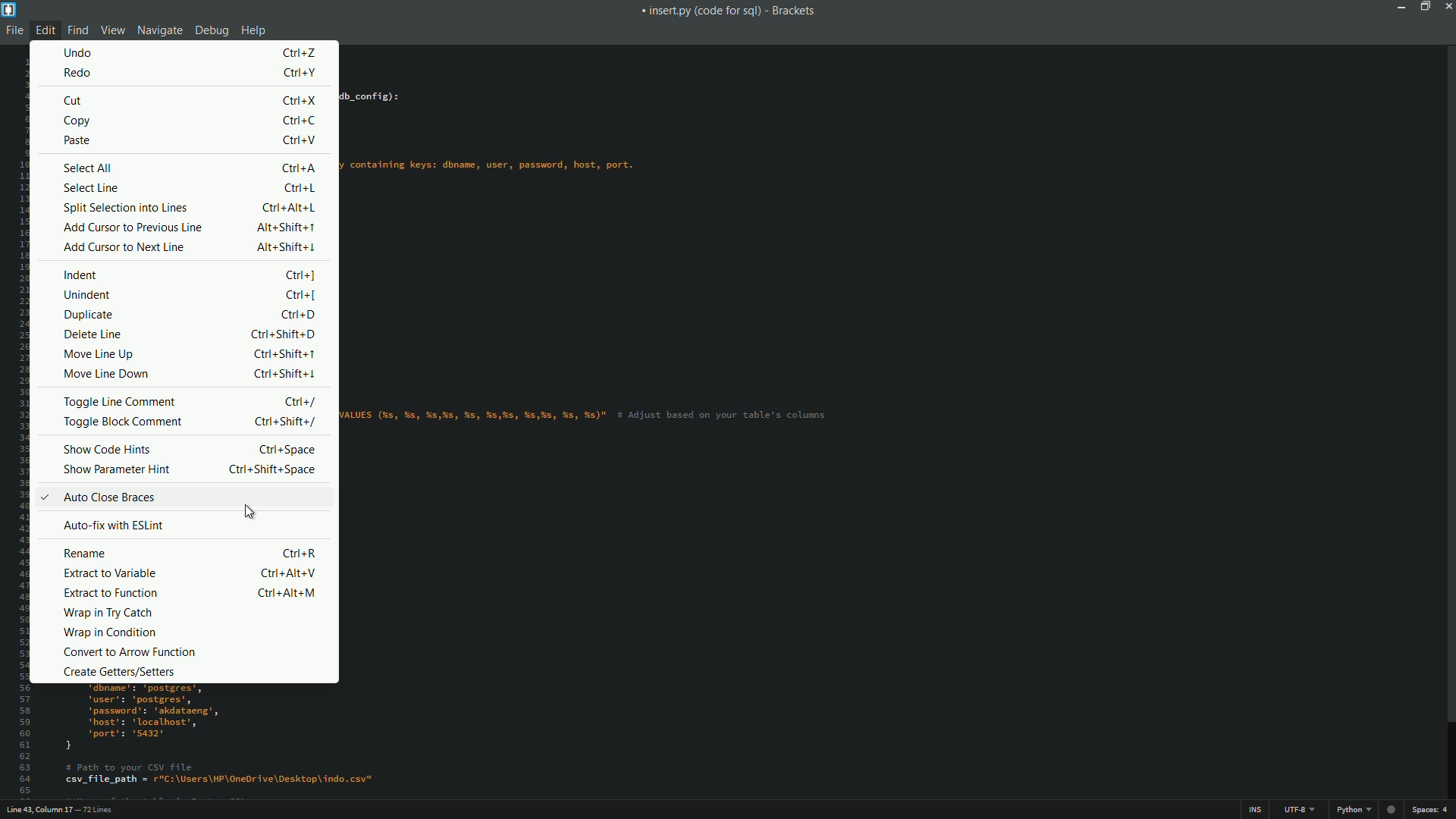  Describe the element at coordinates (86, 554) in the screenshot. I see `rename` at that location.